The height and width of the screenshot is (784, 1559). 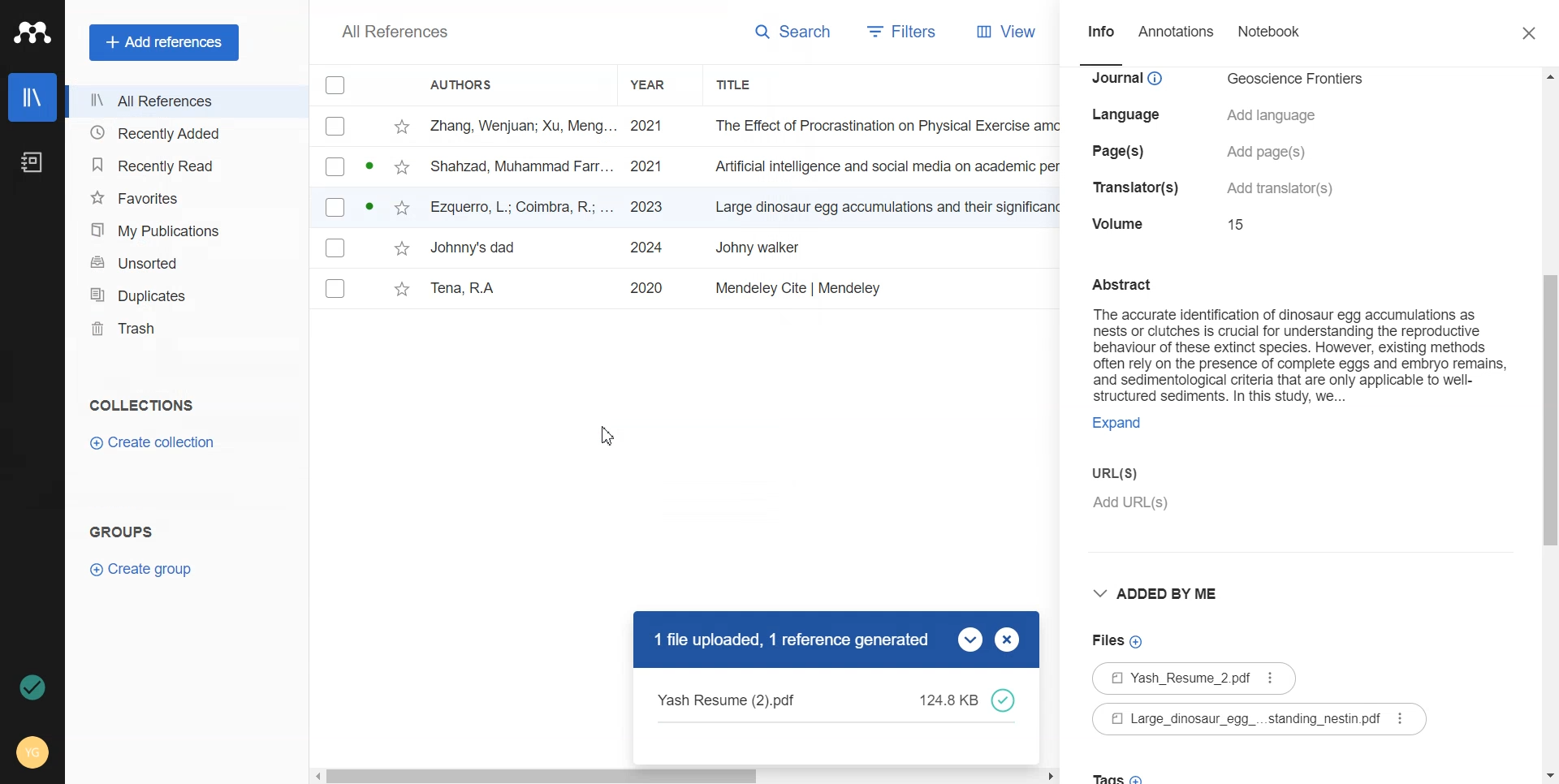 I want to click on Text, so click(x=399, y=32).